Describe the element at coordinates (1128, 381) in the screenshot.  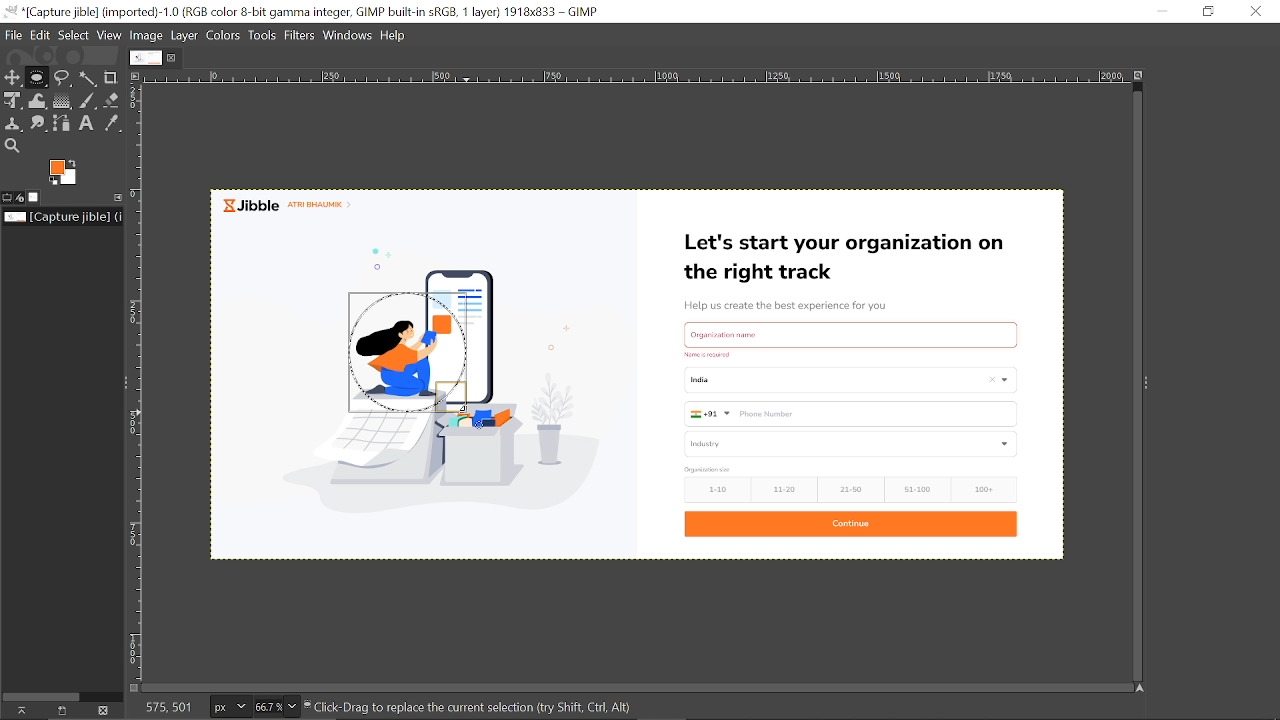
I see `vertical scroll bar` at that location.